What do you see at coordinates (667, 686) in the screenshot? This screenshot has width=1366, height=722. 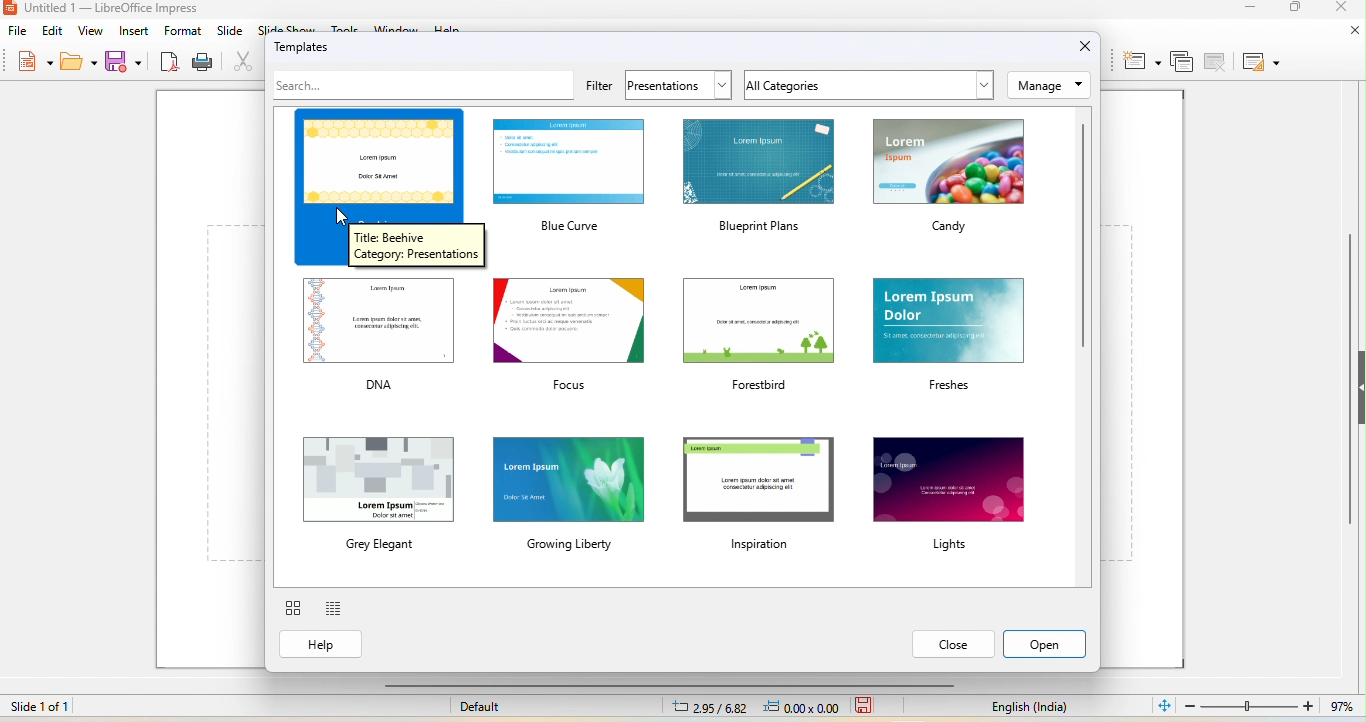 I see `horizontal scroll bar` at bounding box center [667, 686].